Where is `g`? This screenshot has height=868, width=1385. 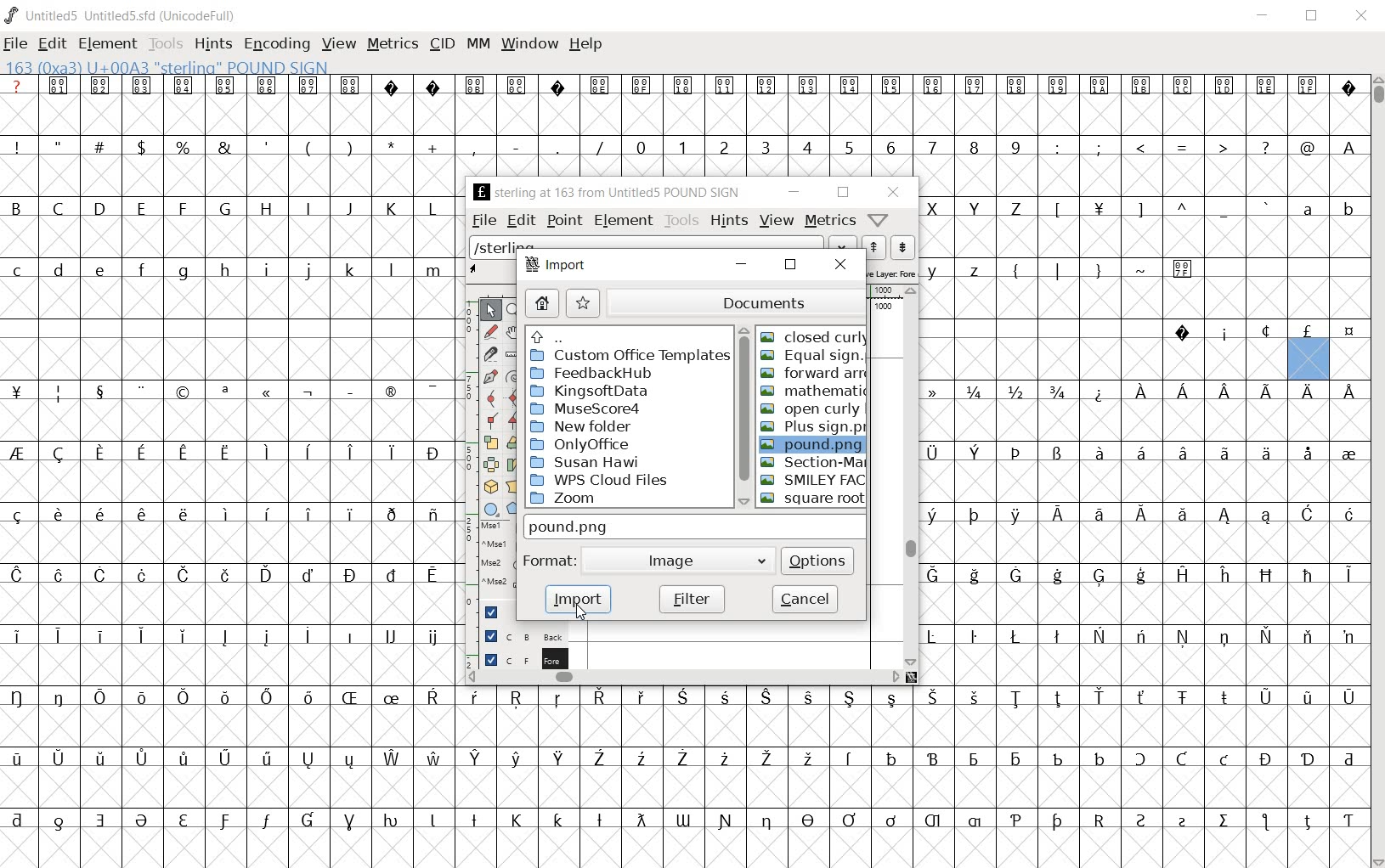
g is located at coordinates (183, 271).